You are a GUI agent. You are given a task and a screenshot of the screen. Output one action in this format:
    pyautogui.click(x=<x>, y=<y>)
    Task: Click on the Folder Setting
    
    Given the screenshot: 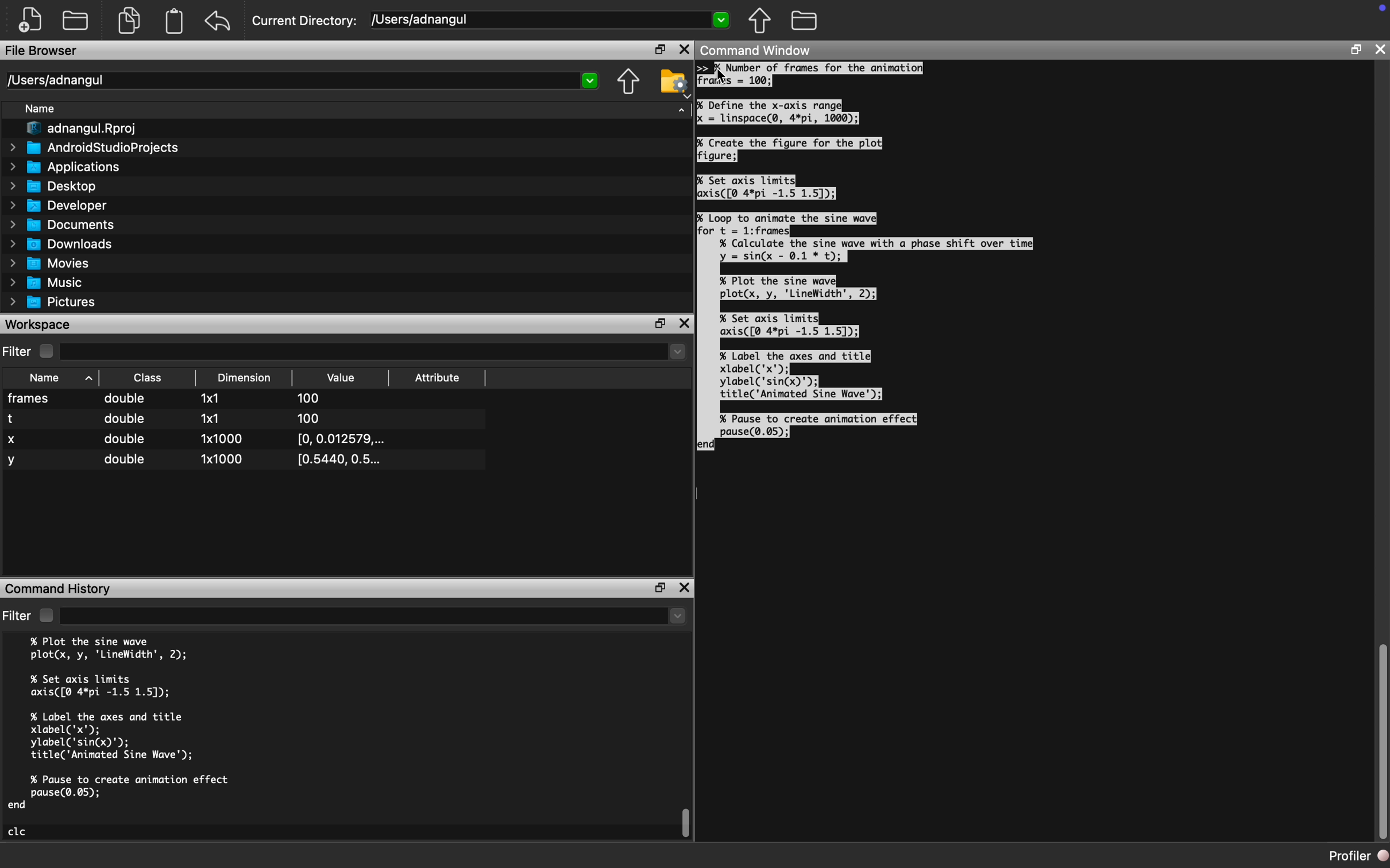 What is the action you would take?
    pyautogui.click(x=672, y=82)
    